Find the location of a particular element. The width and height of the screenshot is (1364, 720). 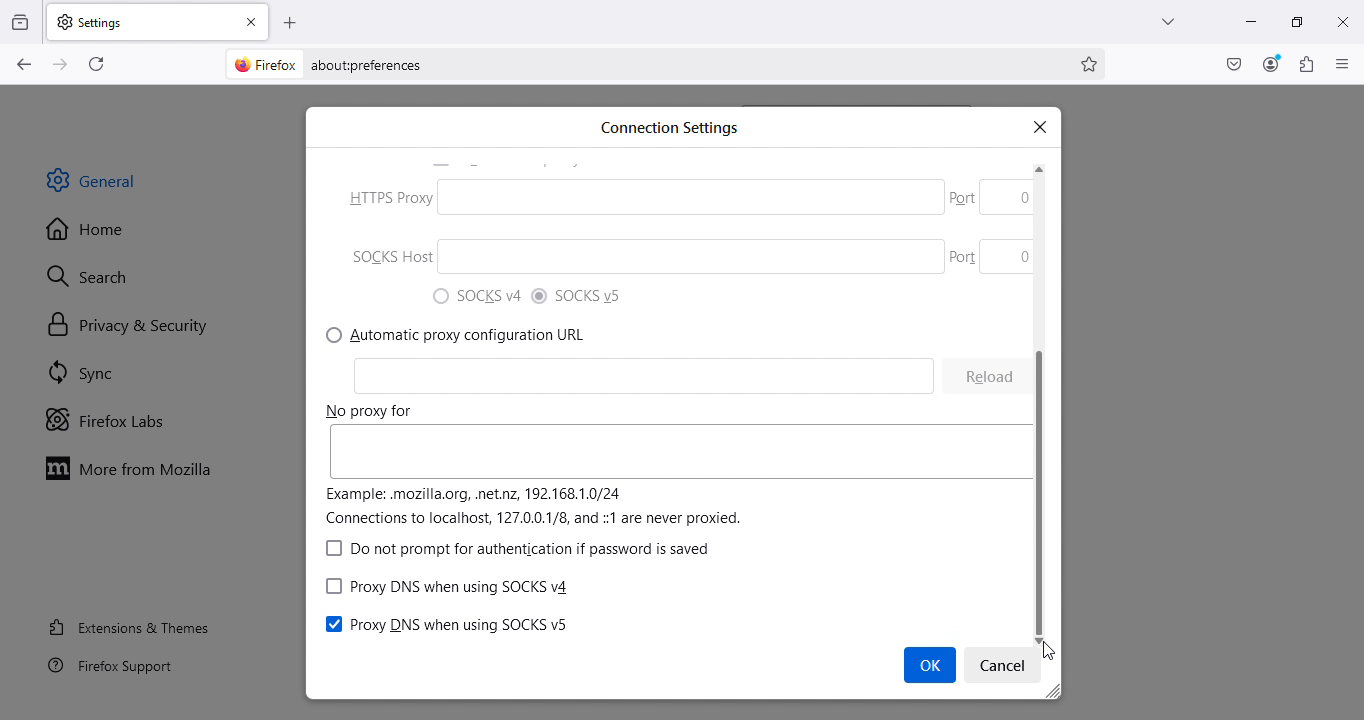

(Configure how Firefox connects to the internet is located at coordinates (597, 624).